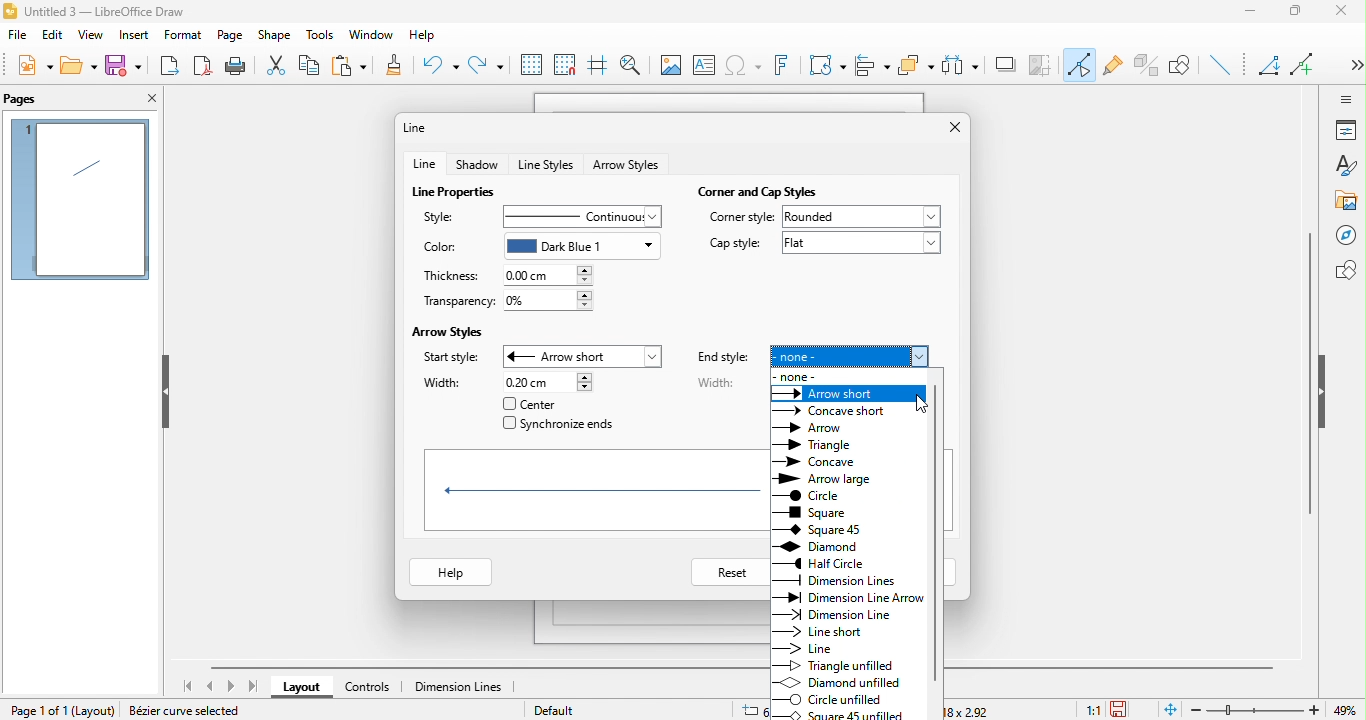  I want to click on Angled line, so click(1272, 68).